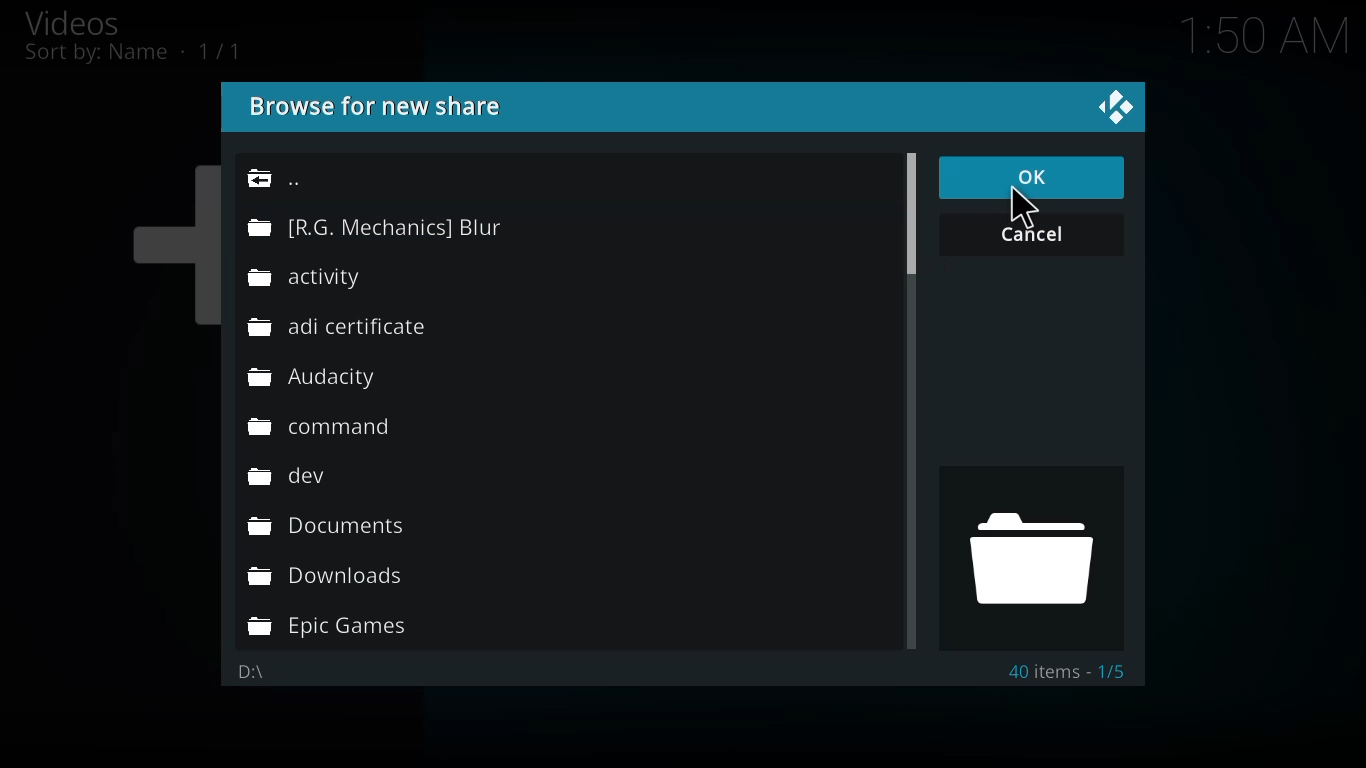 The image size is (1366, 768). Describe the element at coordinates (374, 105) in the screenshot. I see `browse for new share` at that location.